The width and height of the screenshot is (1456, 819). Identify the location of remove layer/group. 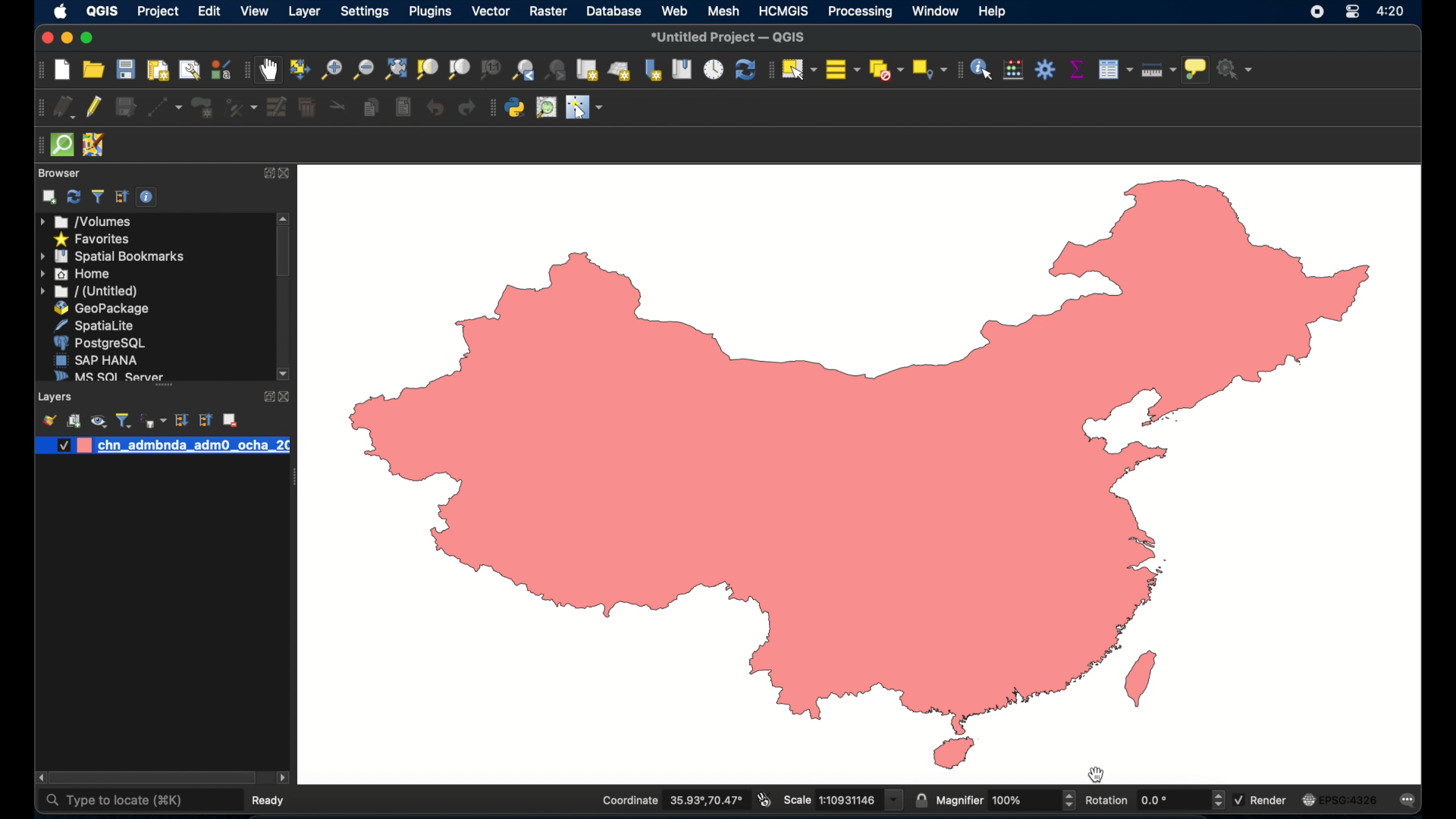
(230, 420).